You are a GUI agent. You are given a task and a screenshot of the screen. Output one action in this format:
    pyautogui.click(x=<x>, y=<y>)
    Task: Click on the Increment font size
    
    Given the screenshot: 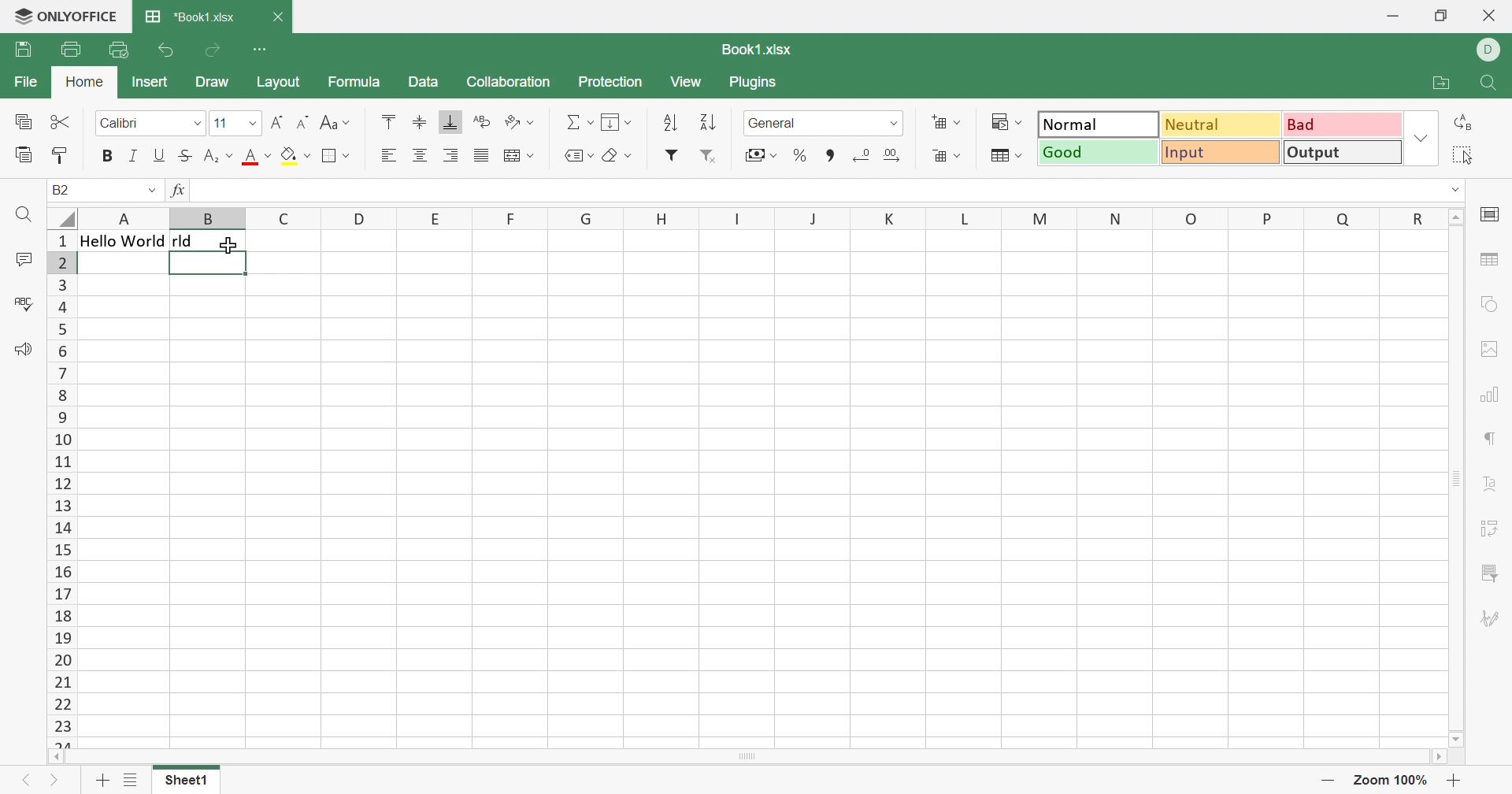 What is the action you would take?
    pyautogui.click(x=279, y=122)
    